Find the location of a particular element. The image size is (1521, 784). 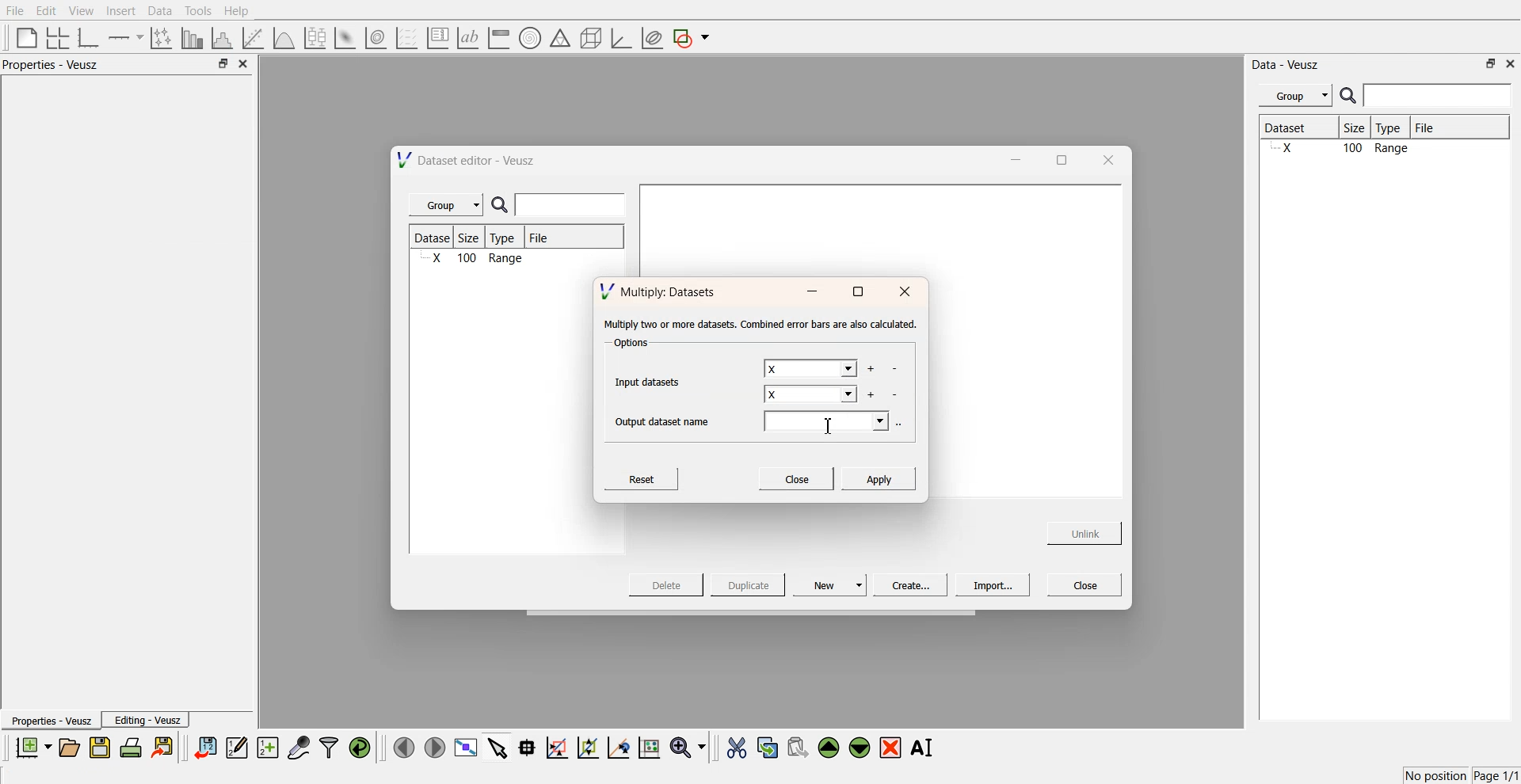

3d graph is located at coordinates (620, 39).